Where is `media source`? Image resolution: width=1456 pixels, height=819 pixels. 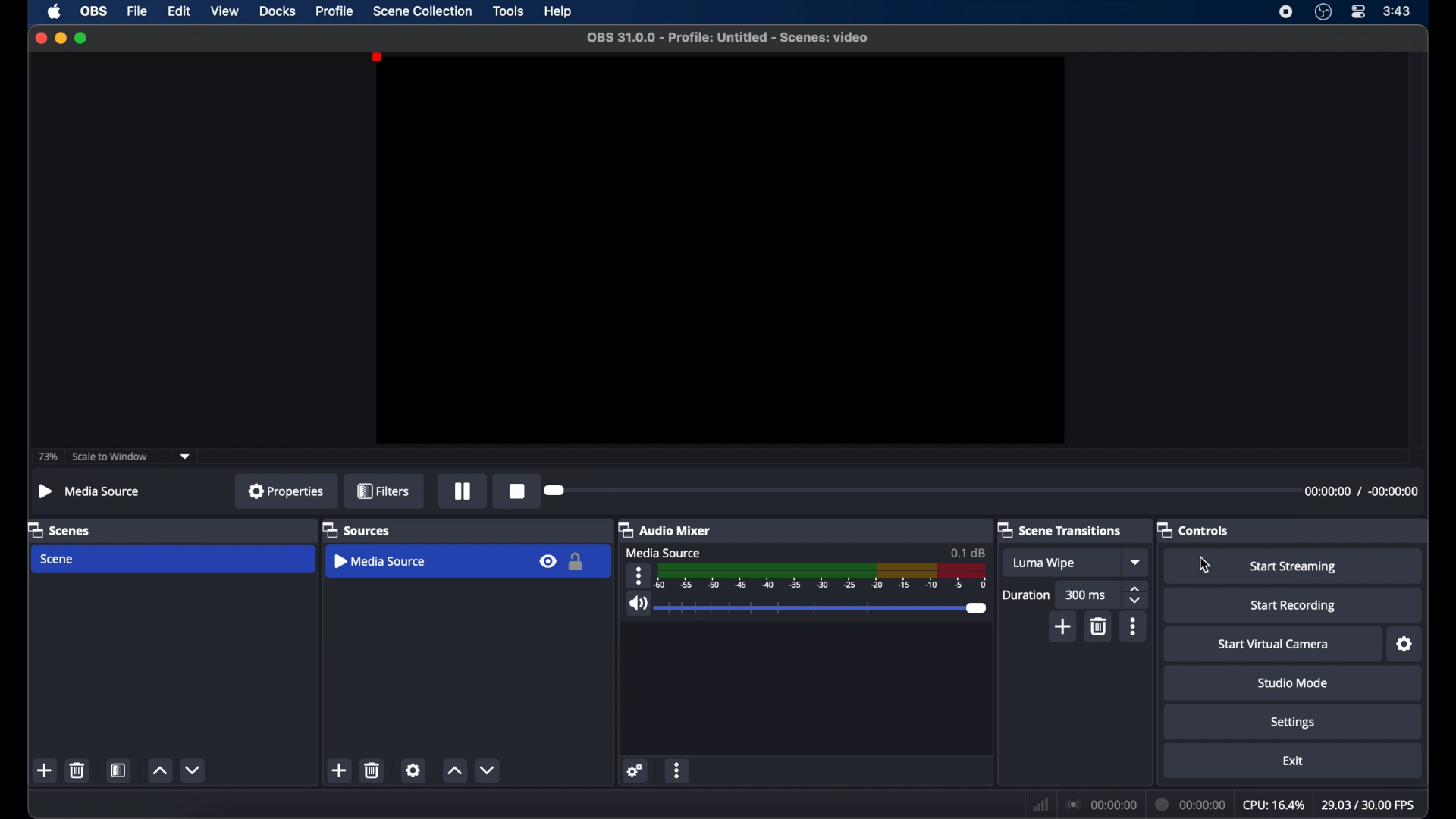 media source is located at coordinates (667, 552).